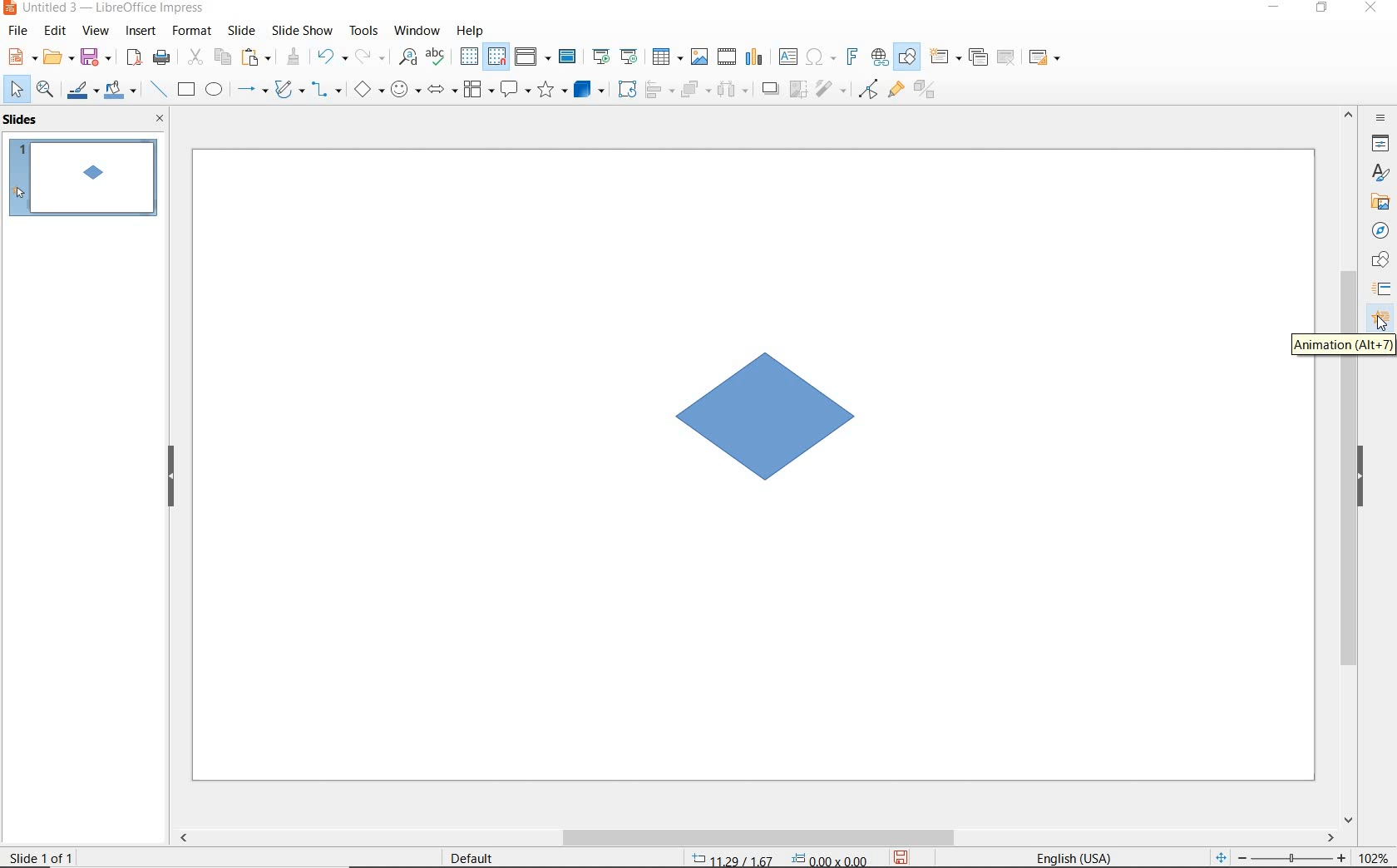  Describe the element at coordinates (332, 56) in the screenshot. I see `undo` at that location.